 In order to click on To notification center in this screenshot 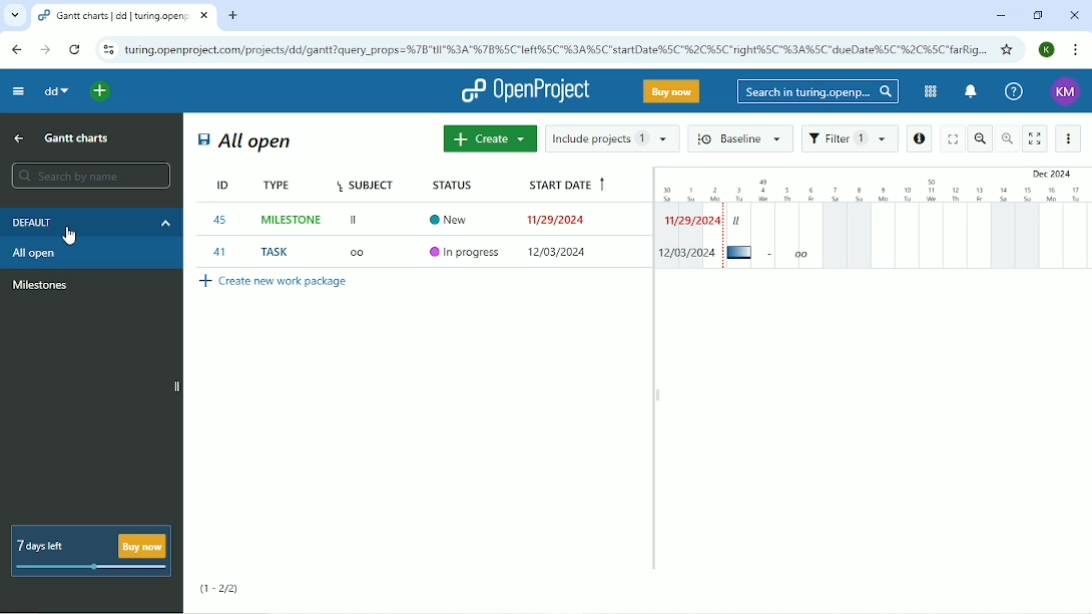, I will do `click(972, 91)`.